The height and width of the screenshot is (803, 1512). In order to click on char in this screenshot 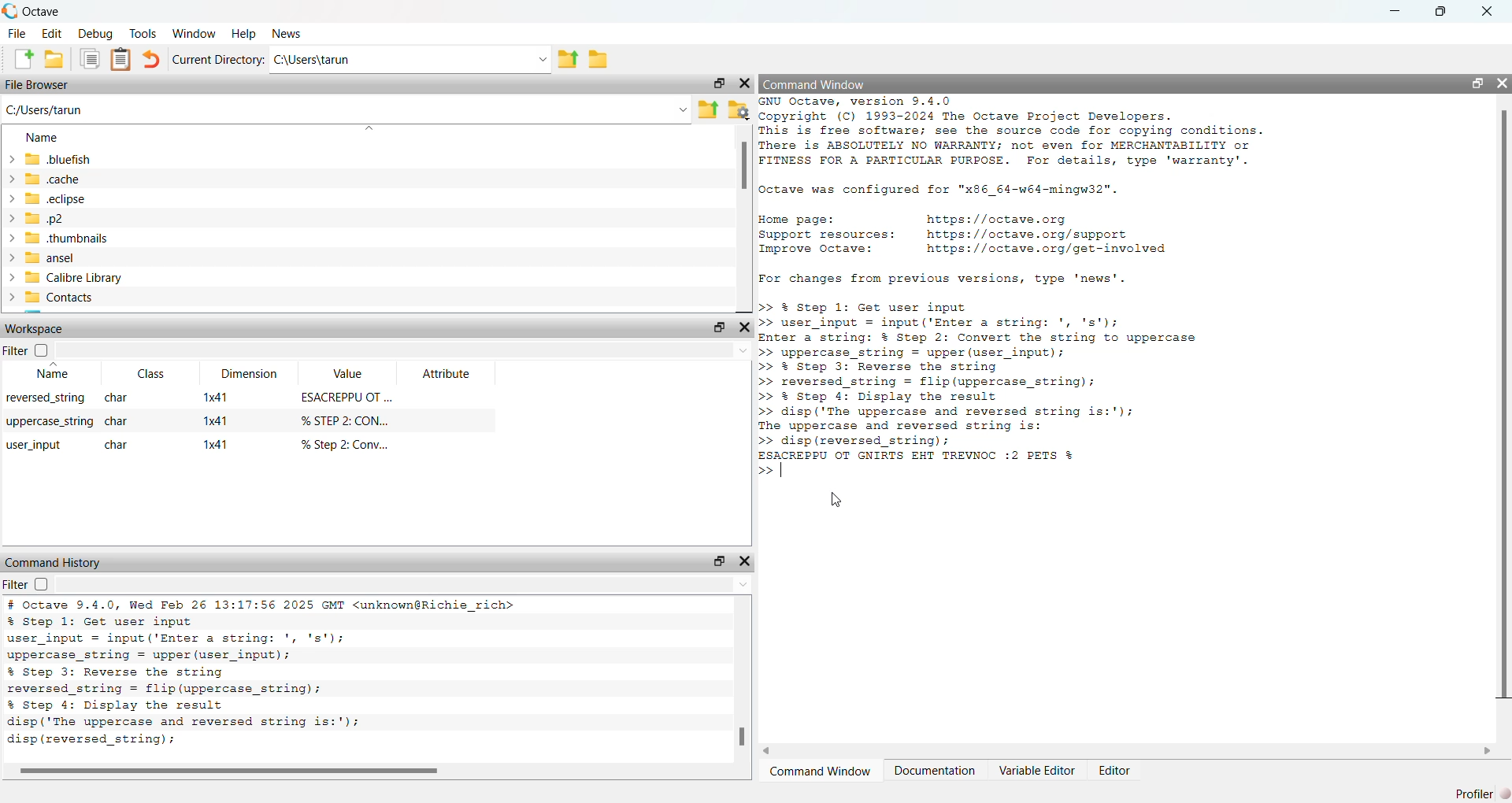, I will do `click(121, 442)`.